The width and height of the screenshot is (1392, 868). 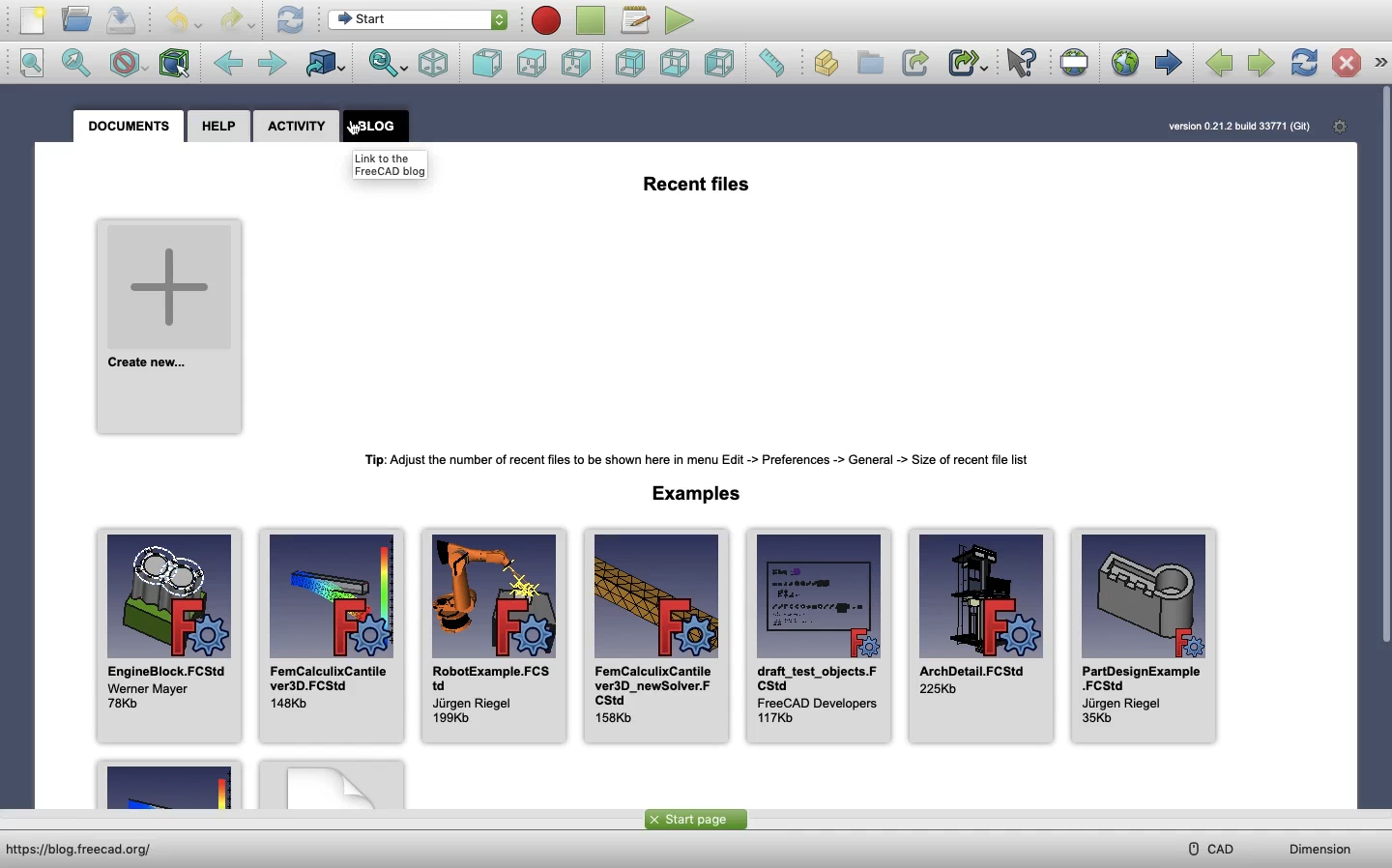 What do you see at coordinates (129, 127) in the screenshot?
I see `Document` at bounding box center [129, 127].